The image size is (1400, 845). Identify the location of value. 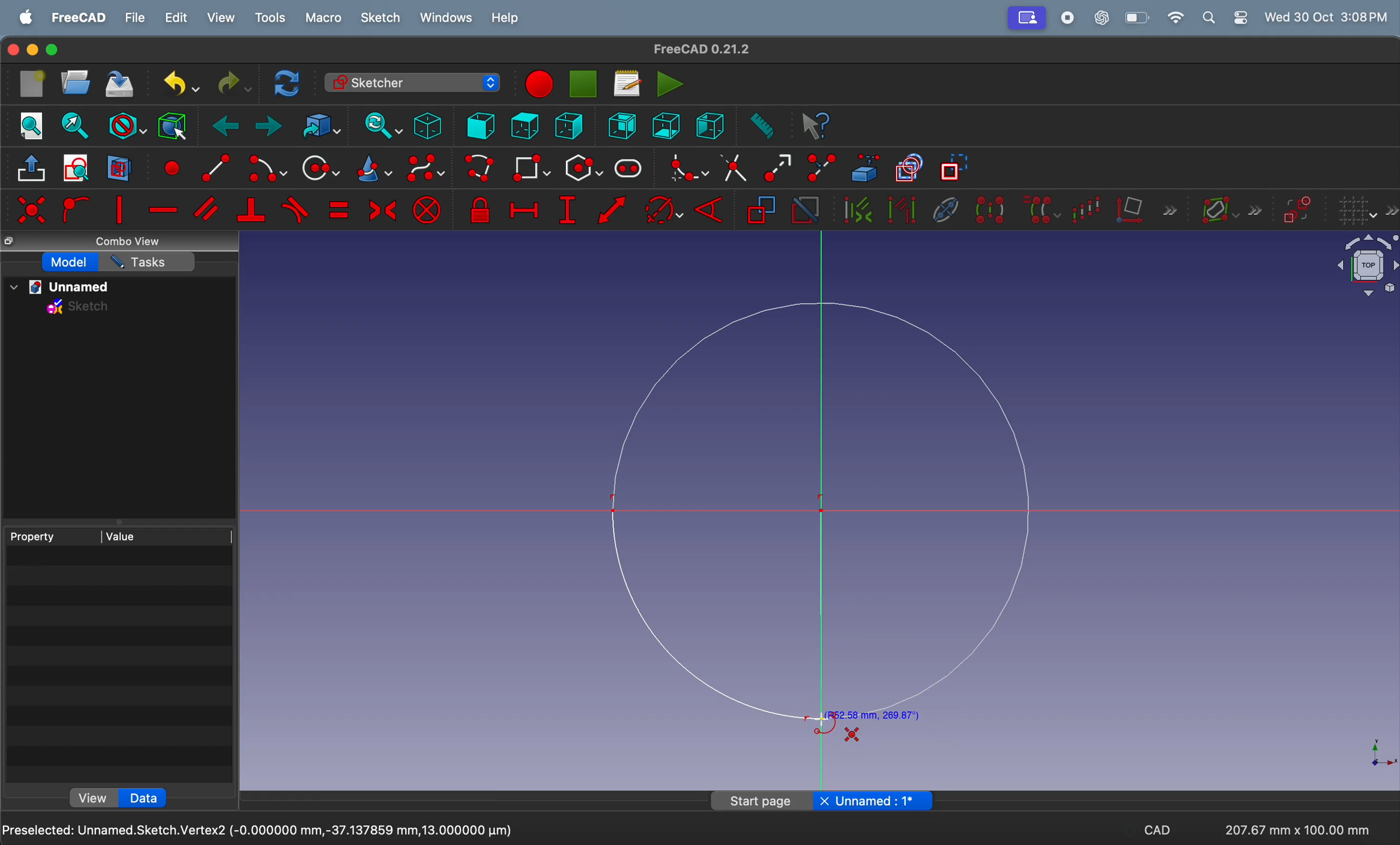
(168, 535).